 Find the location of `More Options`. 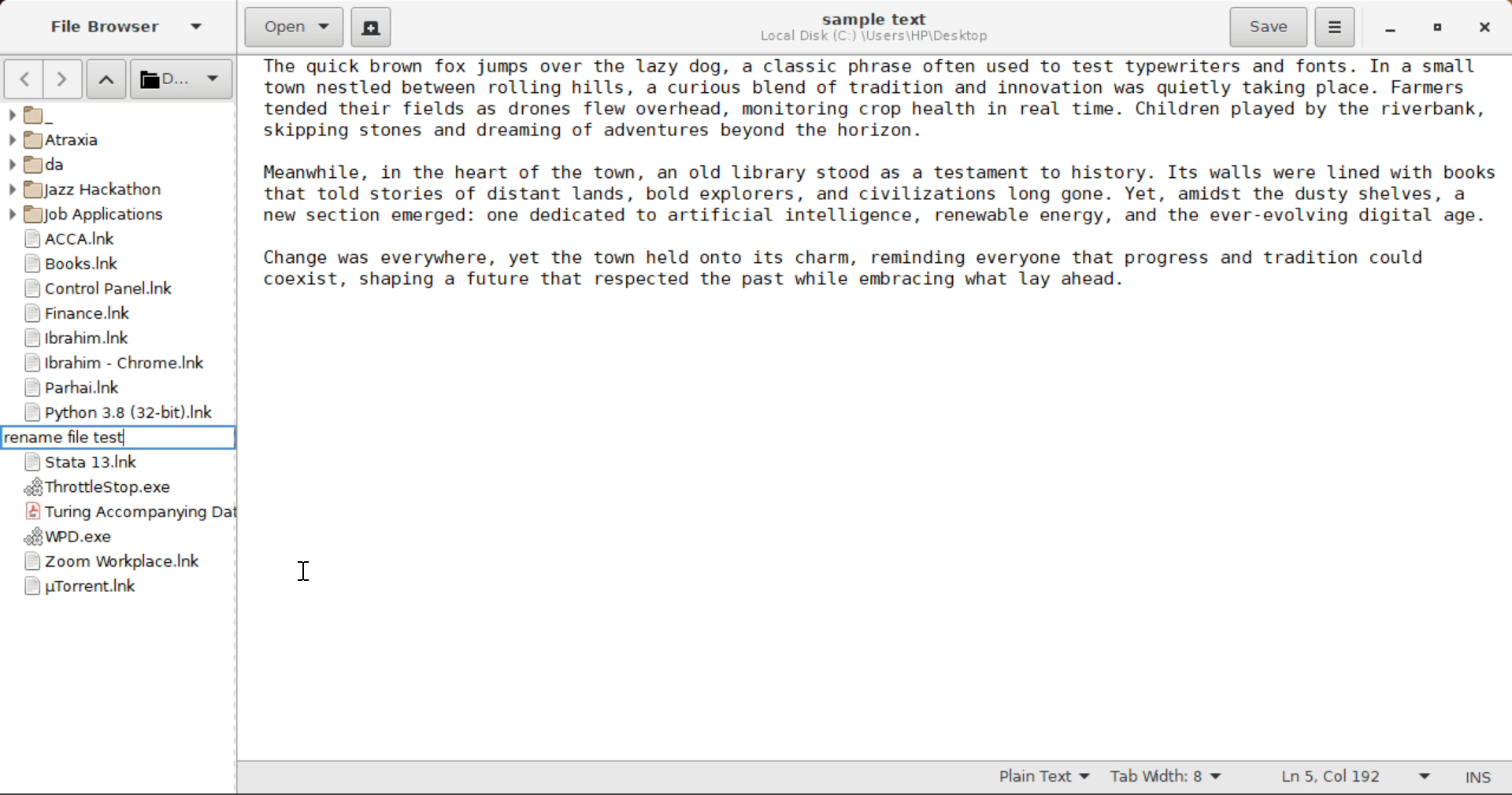

More Options is located at coordinates (1336, 26).